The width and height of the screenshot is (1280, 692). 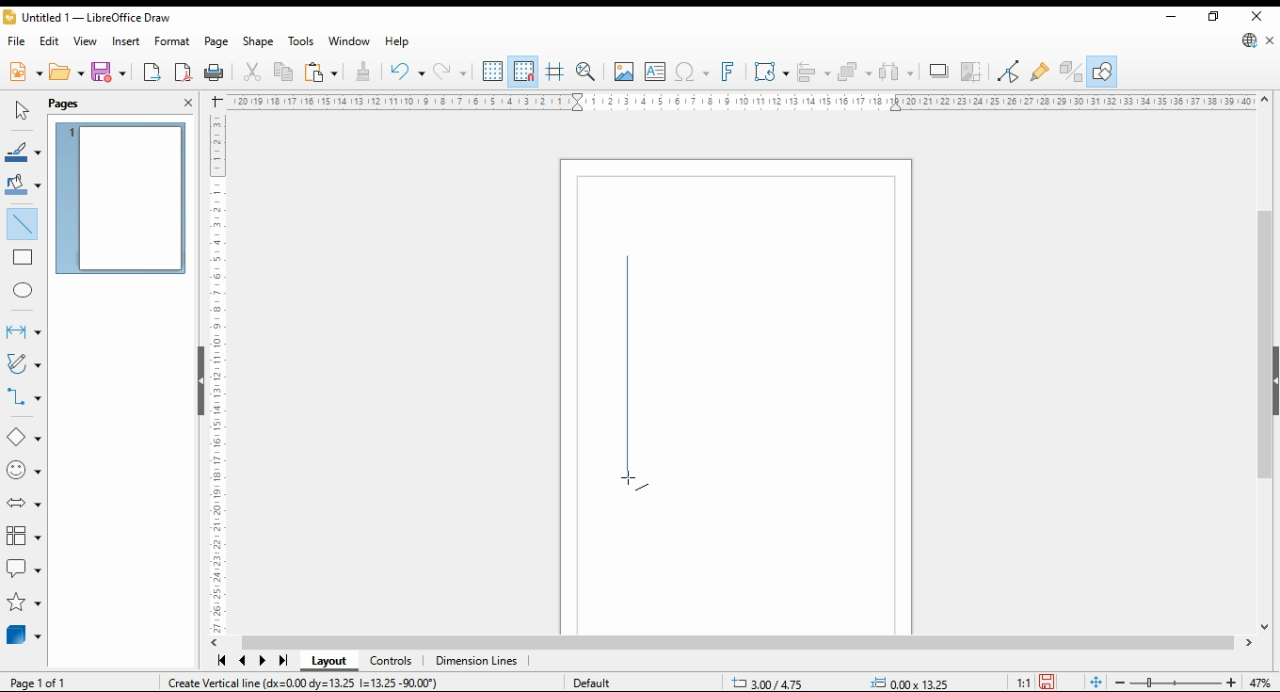 I want to click on select, so click(x=22, y=110).